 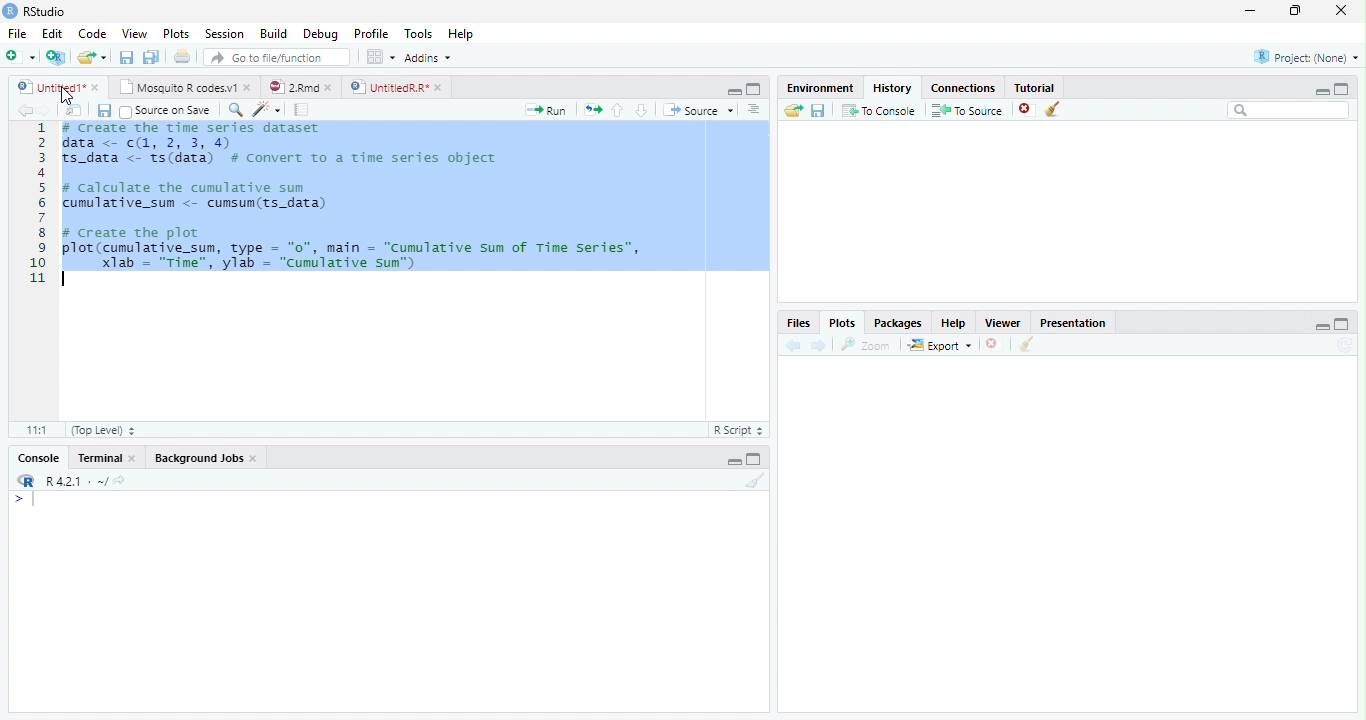 What do you see at coordinates (187, 86) in the screenshot?
I see `Mosquito R codes` at bounding box center [187, 86].